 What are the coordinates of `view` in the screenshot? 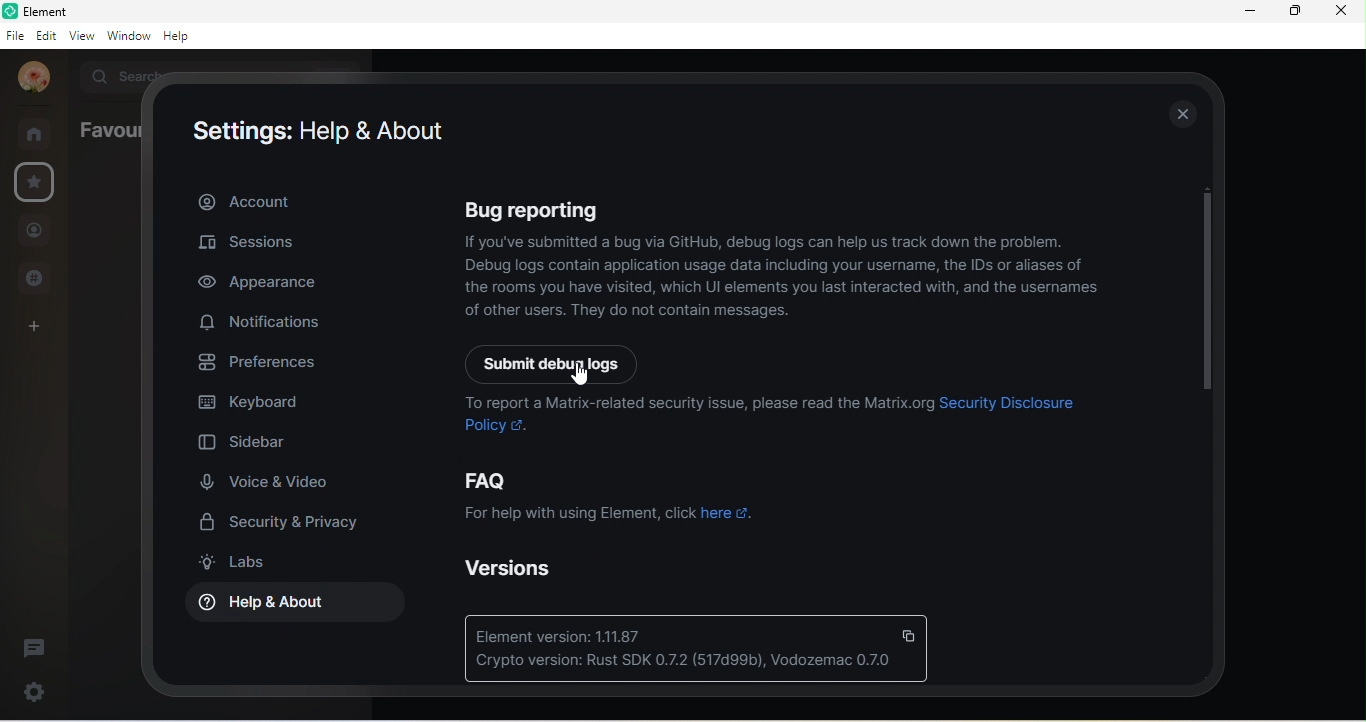 It's located at (80, 38).